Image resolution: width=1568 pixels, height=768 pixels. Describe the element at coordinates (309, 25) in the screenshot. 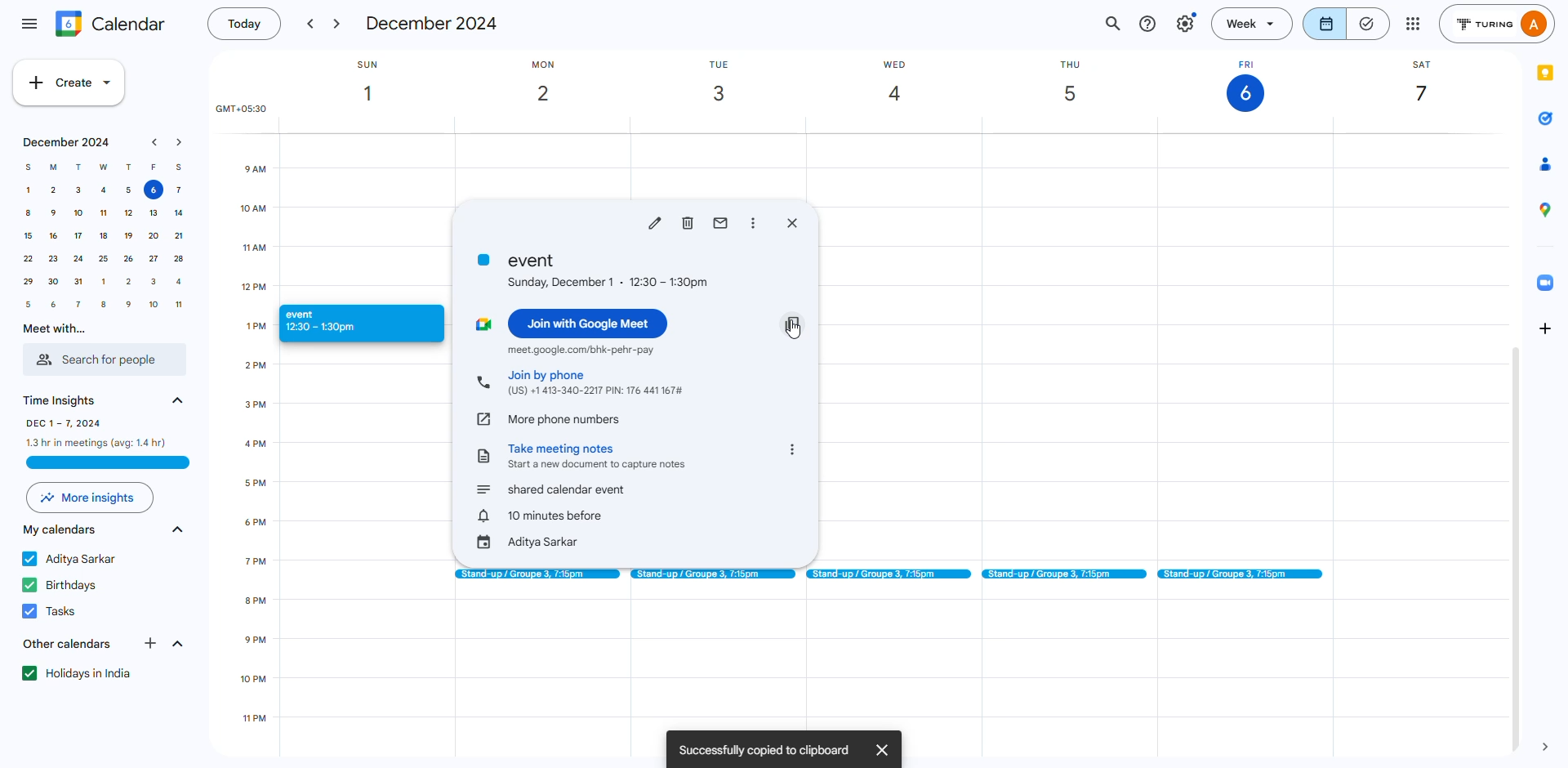

I see `previous` at that location.